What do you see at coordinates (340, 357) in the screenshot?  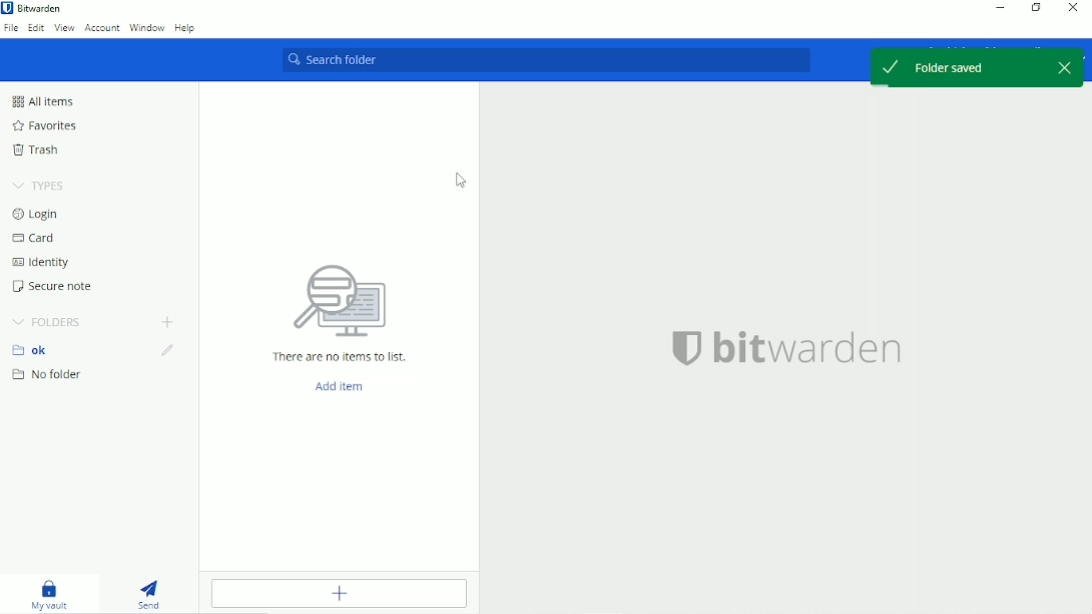 I see `There are no items to list.` at bounding box center [340, 357].